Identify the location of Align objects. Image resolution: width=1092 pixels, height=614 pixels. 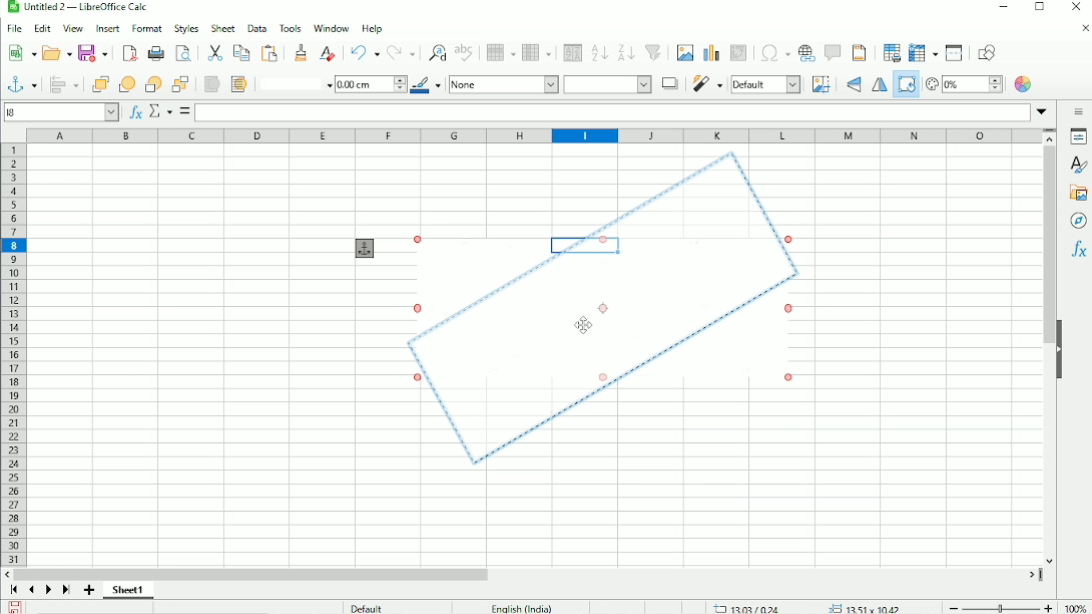
(63, 84).